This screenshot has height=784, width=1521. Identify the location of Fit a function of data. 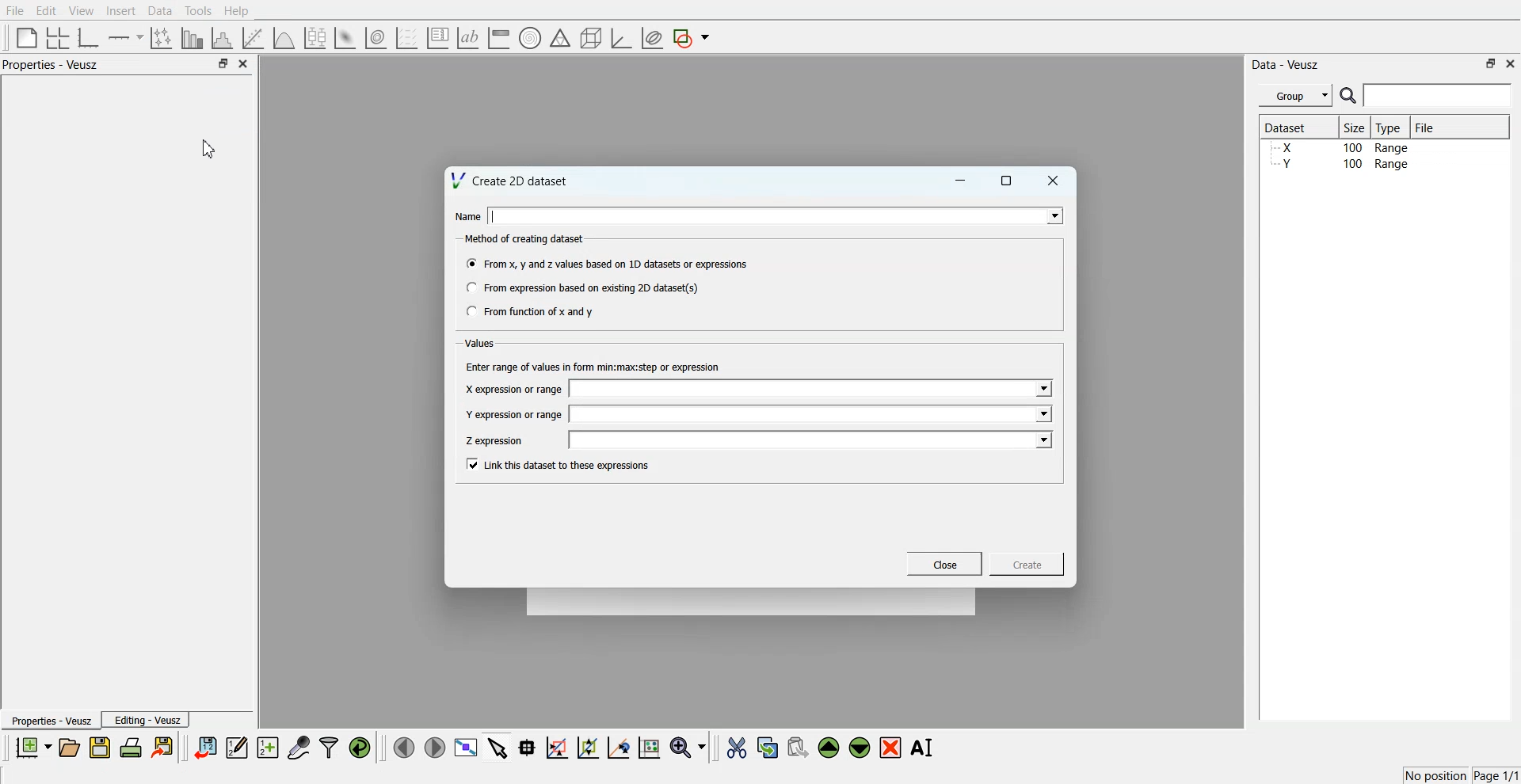
(252, 38).